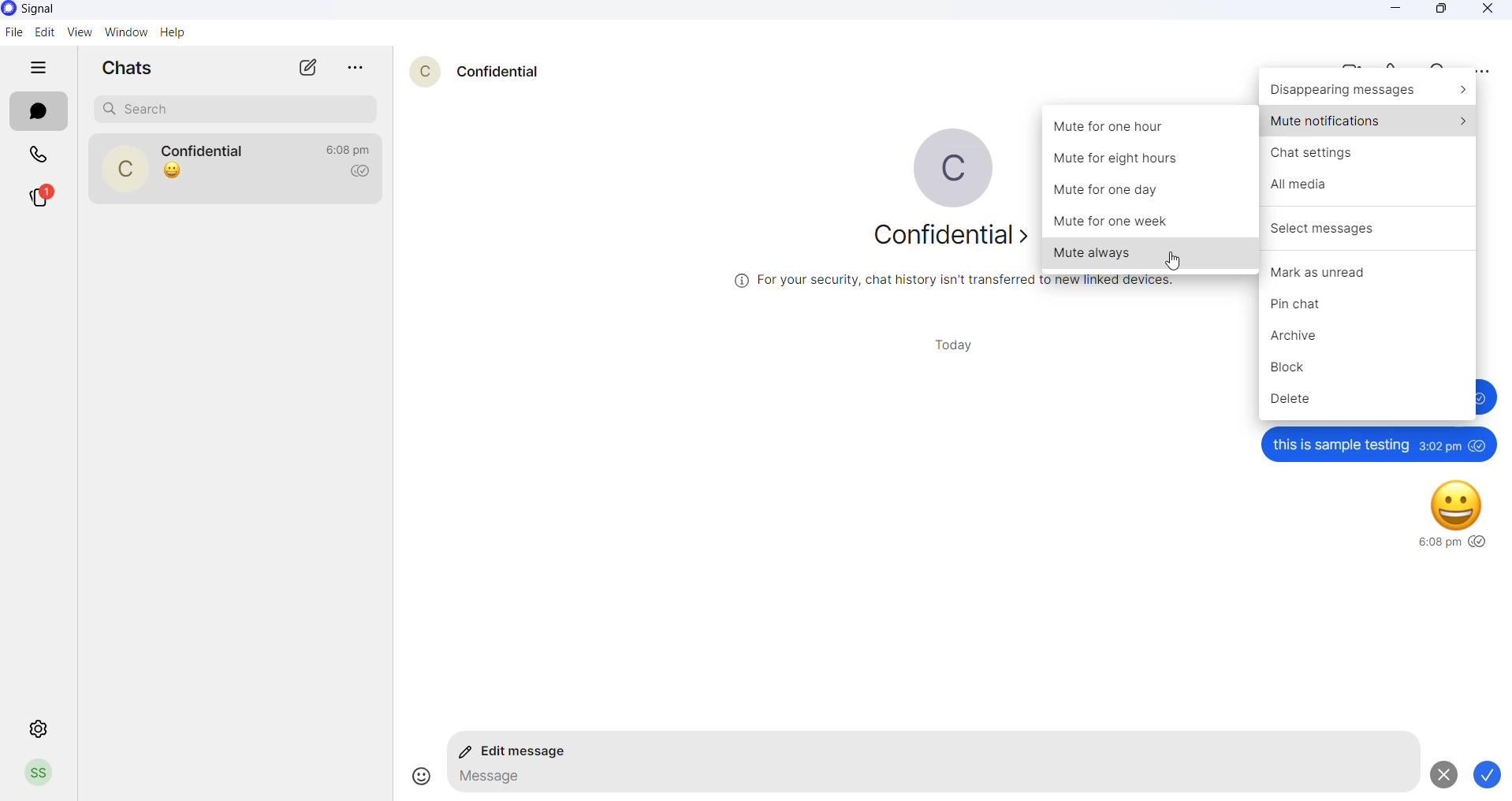  What do you see at coordinates (1369, 91) in the screenshot?
I see `disappearing messages` at bounding box center [1369, 91].